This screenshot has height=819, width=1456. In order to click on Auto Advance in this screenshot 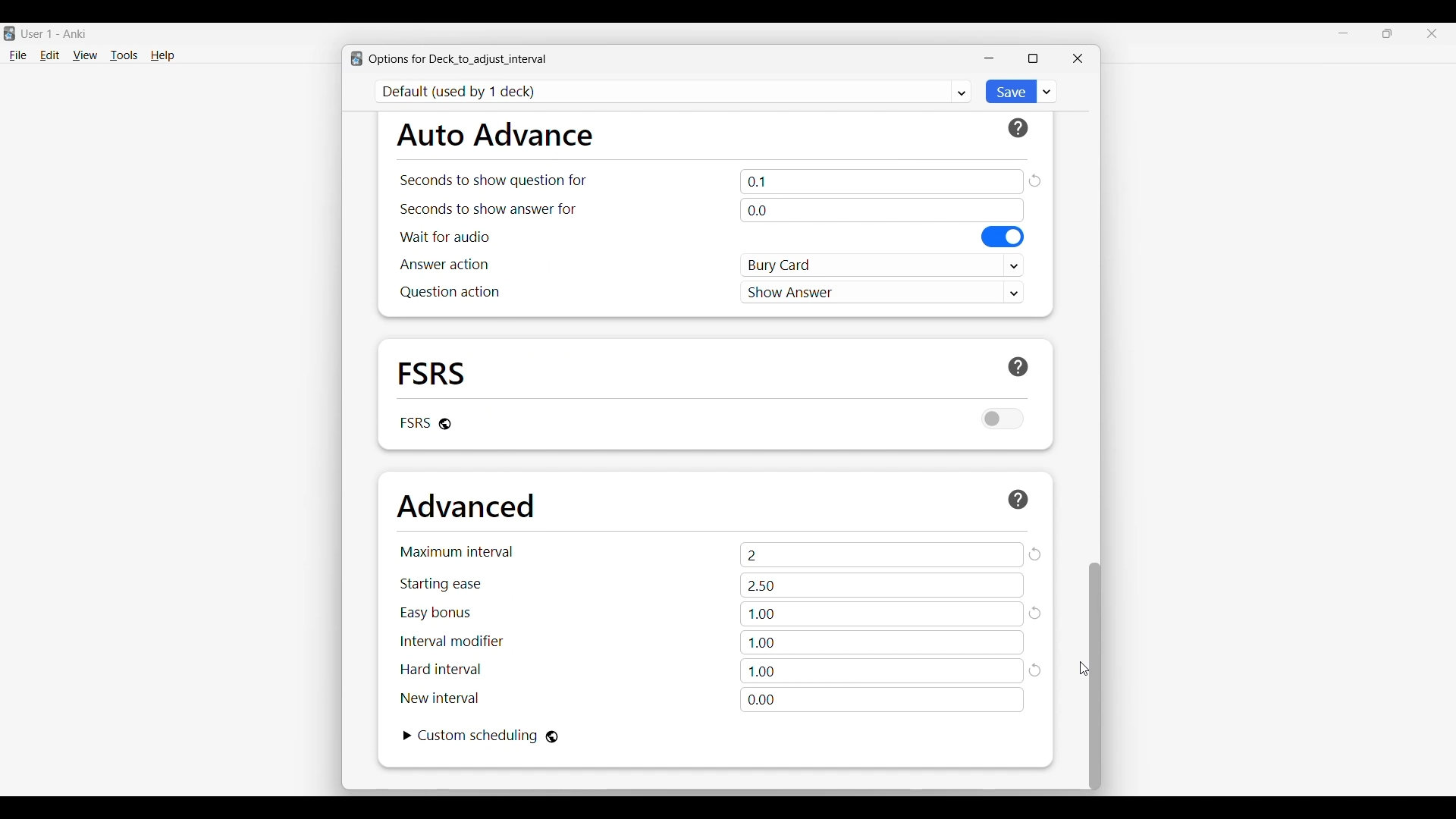, I will do `click(494, 134)`.